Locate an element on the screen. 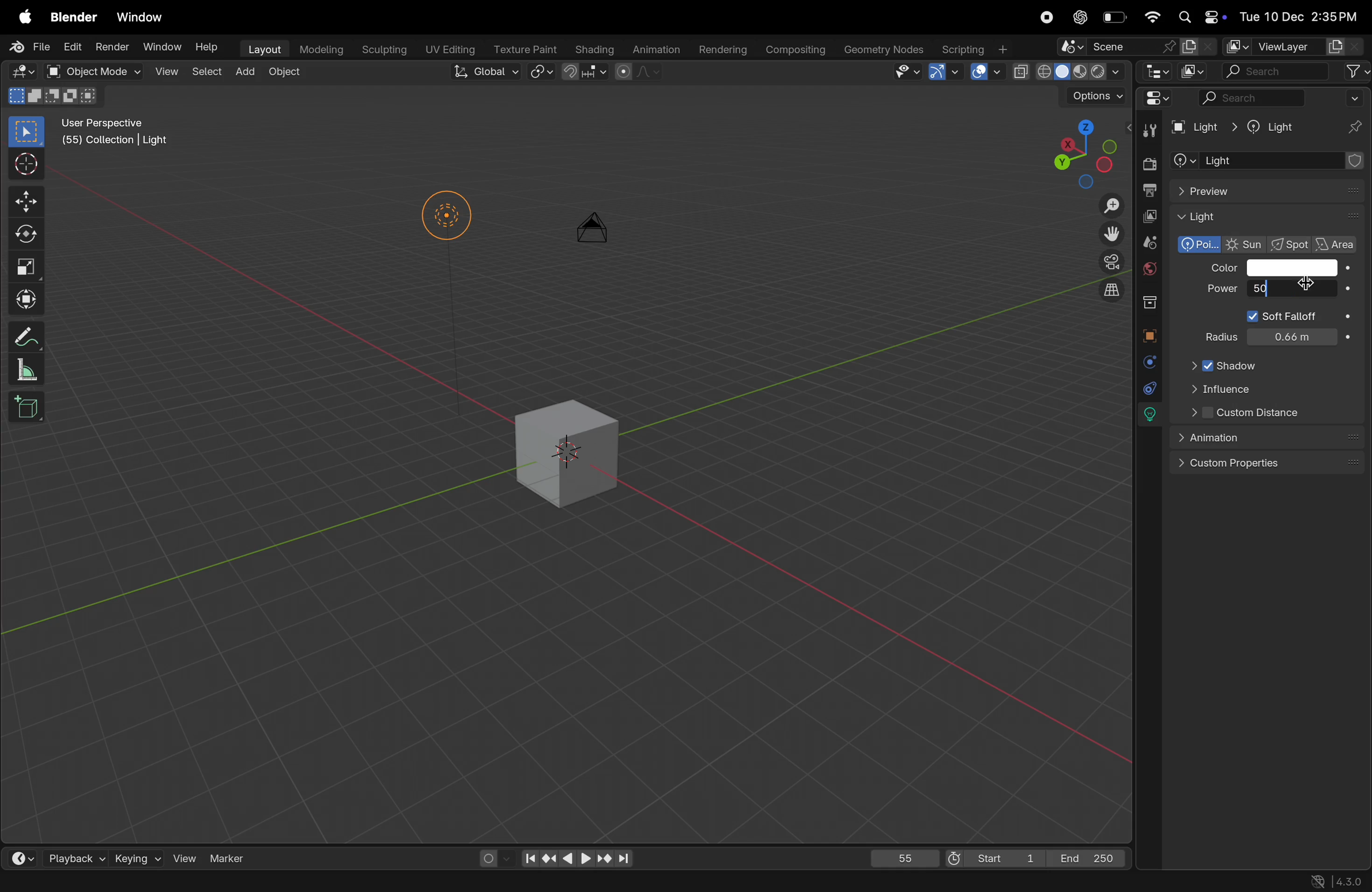 The width and height of the screenshot is (1372, 892). annotate is located at coordinates (29, 335).